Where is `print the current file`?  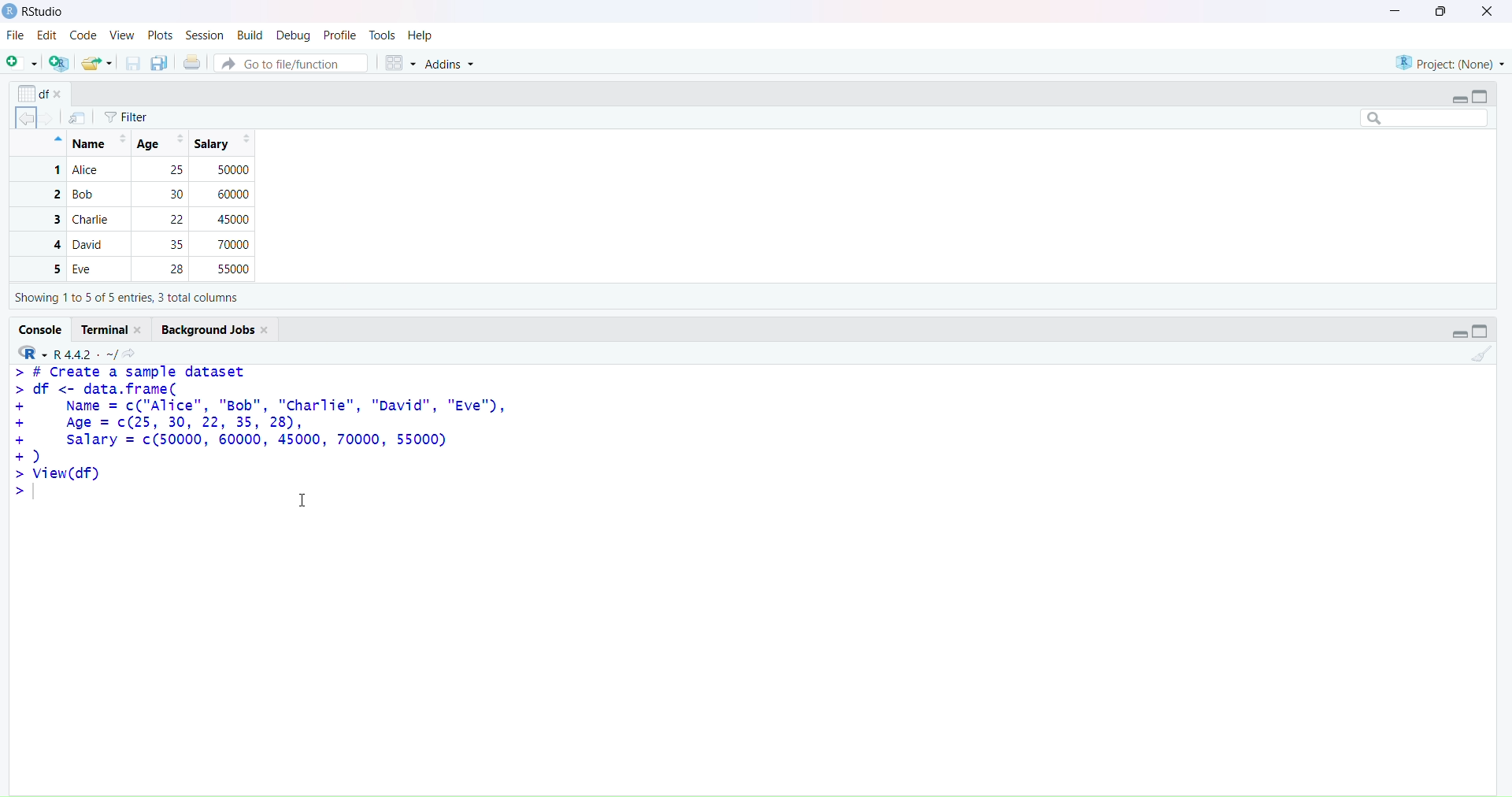
print the current file is located at coordinates (192, 61).